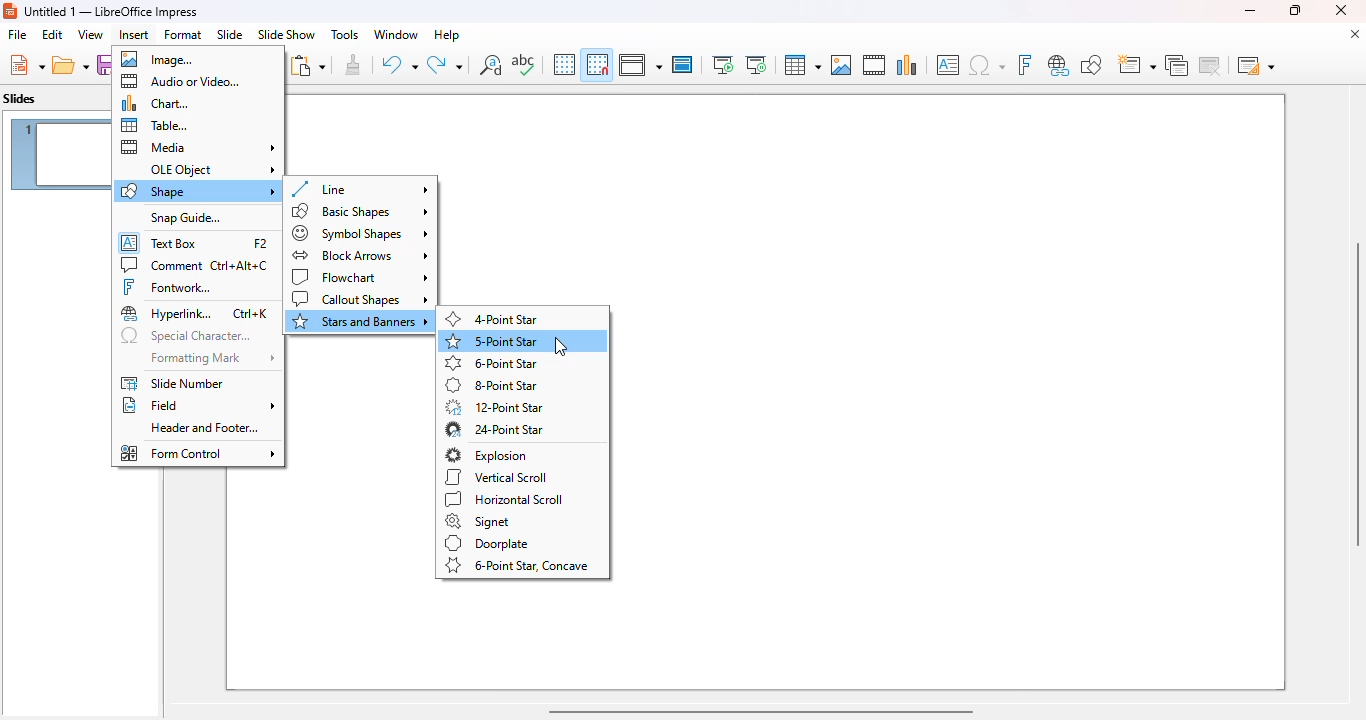 The image size is (1366, 720). Describe the element at coordinates (563, 64) in the screenshot. I see `display grid` at that location.